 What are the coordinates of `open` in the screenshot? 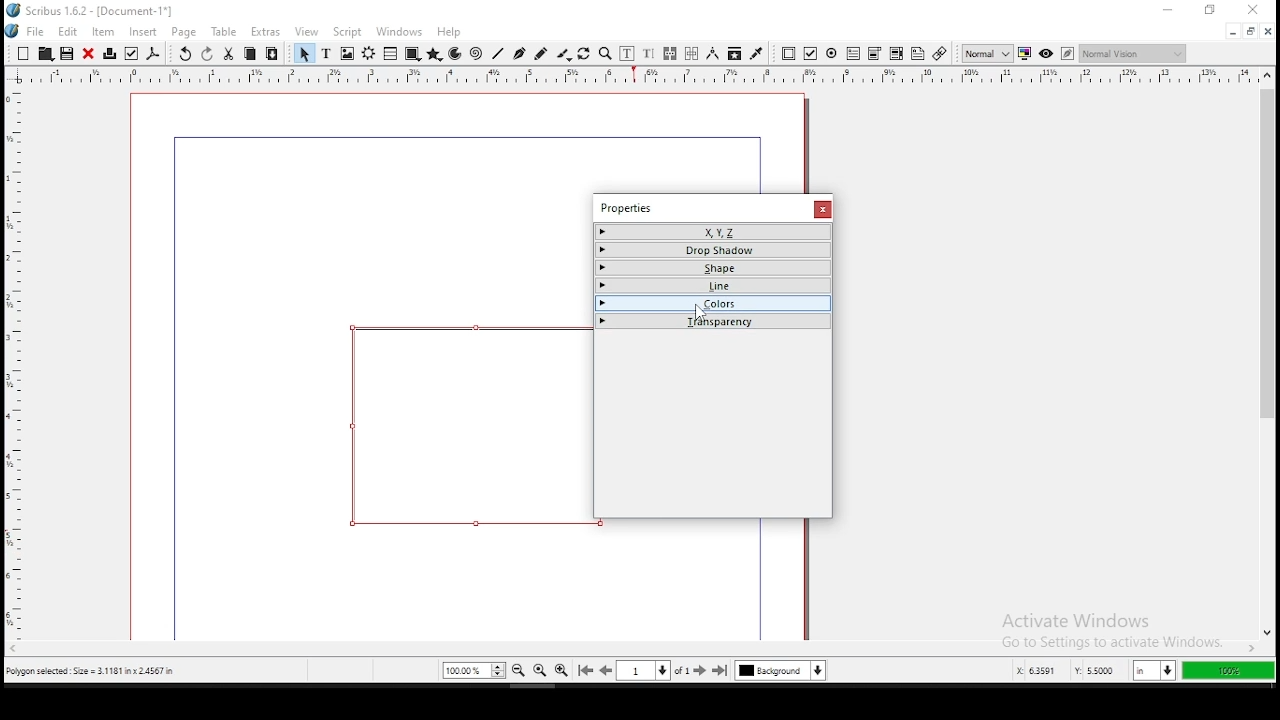 It's located at (44, 53).